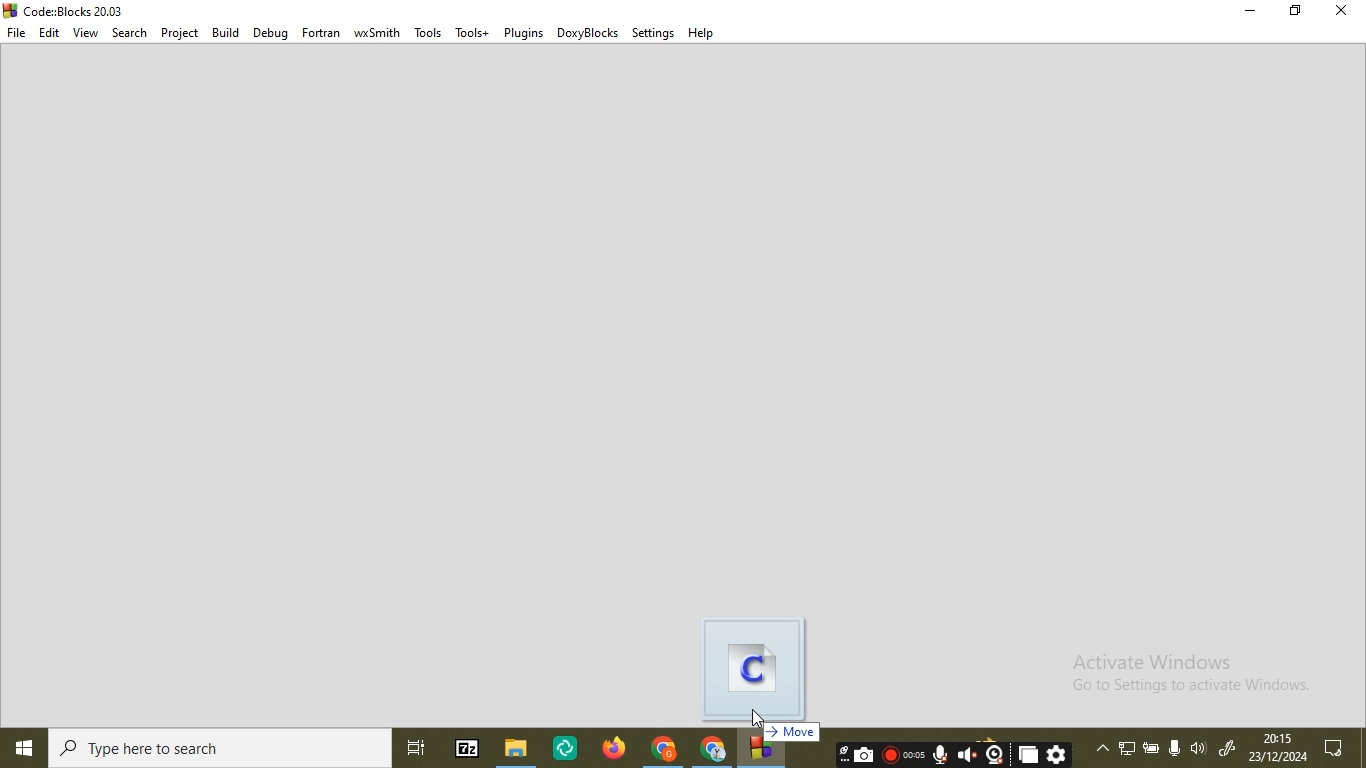 This screenshot has width=1366, height=768. What do you see at coordinates (1341, 11) in the screenshot?
I see `close` at bounding box center [1341, 11].